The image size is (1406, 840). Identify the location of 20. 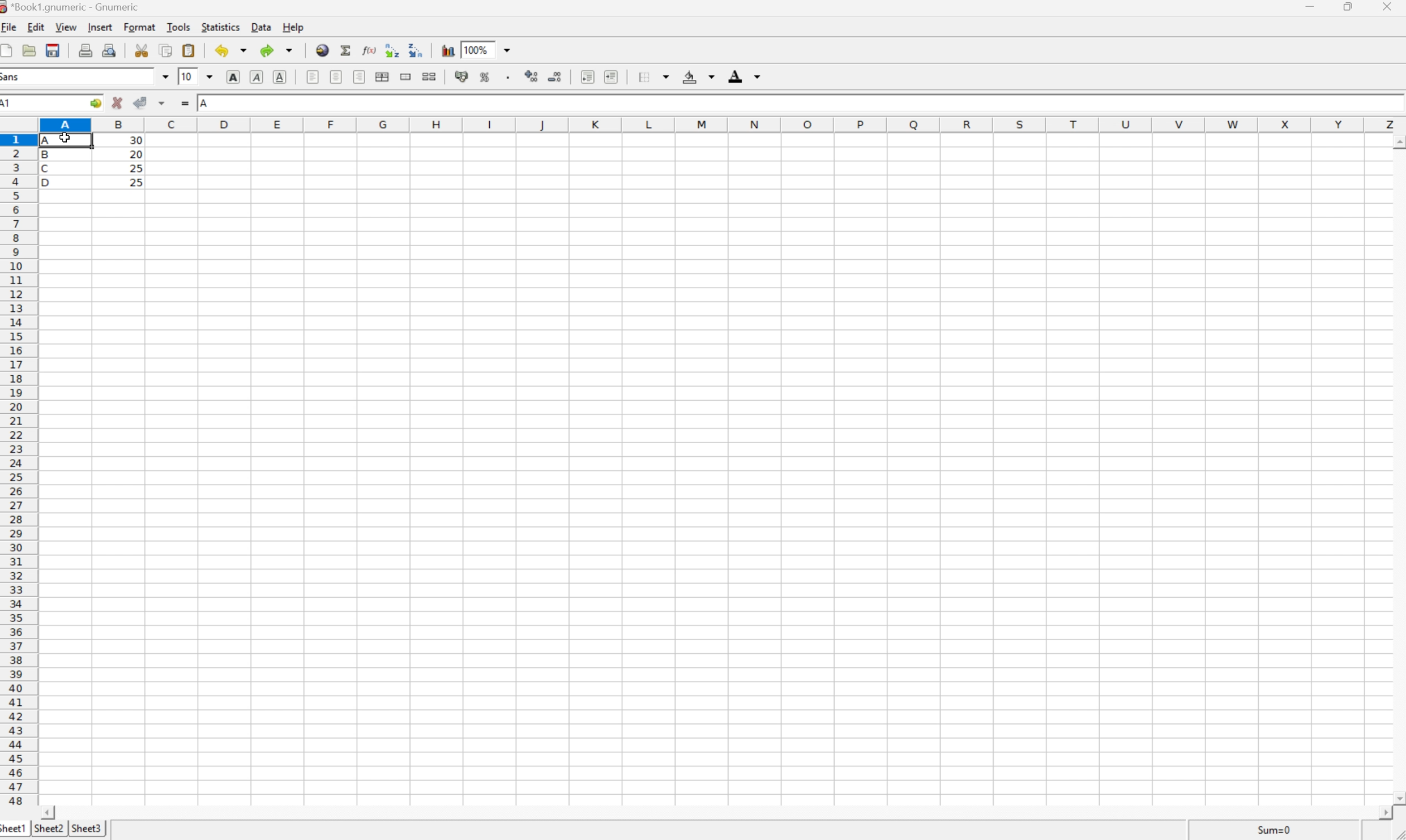
(135, 154).